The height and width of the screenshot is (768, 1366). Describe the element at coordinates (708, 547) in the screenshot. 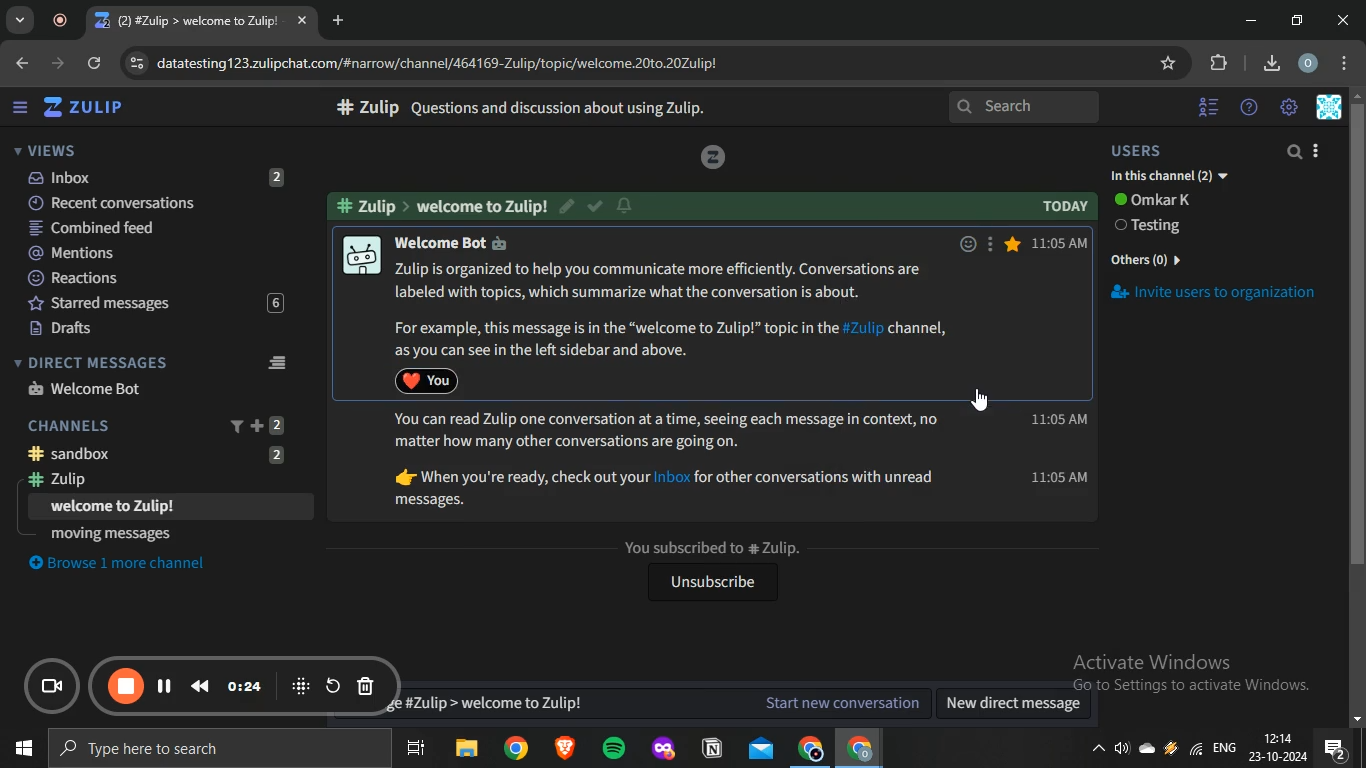

I see `You subscribed to # Zulip.` at that location.